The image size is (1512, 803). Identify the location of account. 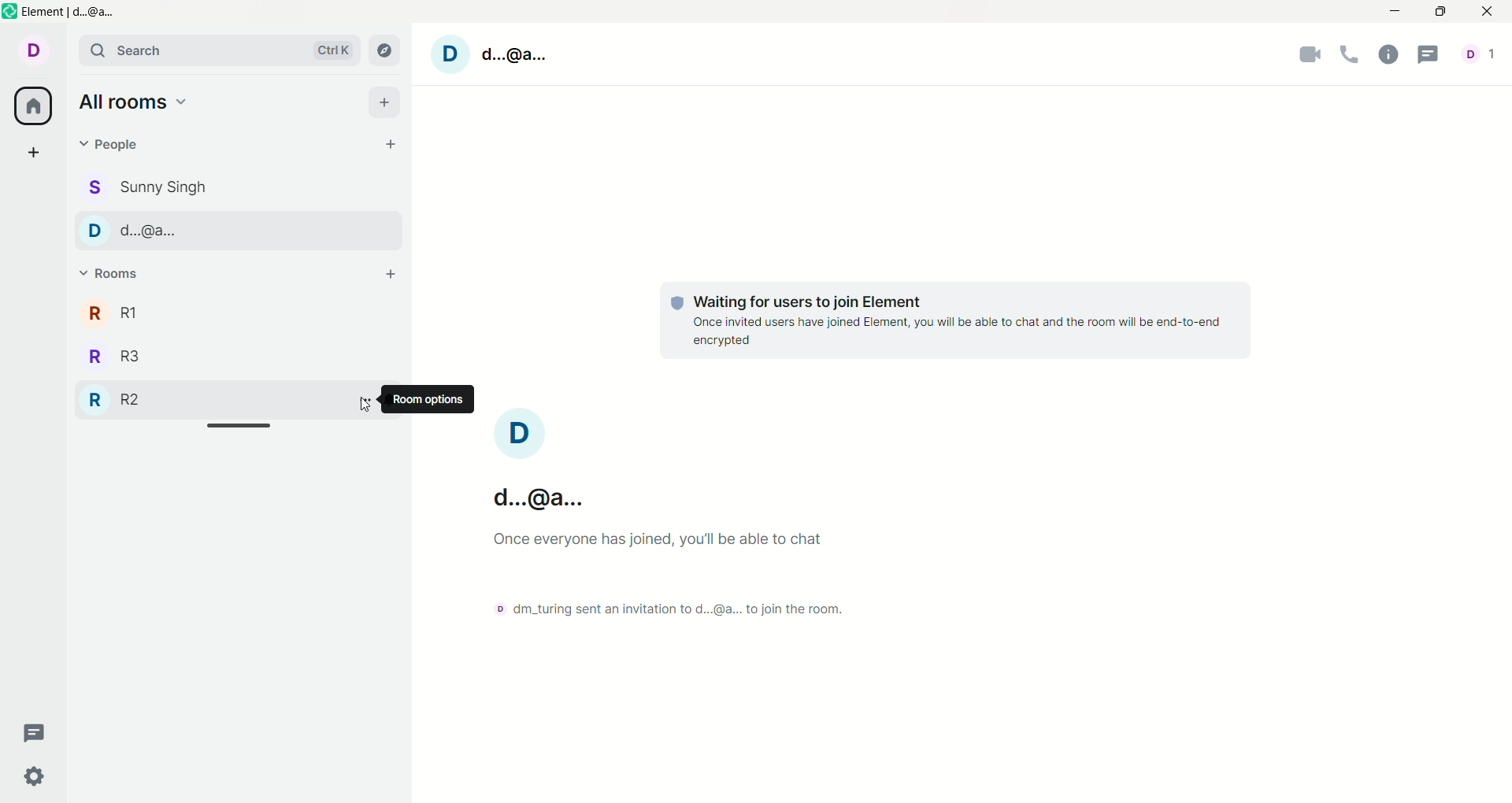
(32, 50).